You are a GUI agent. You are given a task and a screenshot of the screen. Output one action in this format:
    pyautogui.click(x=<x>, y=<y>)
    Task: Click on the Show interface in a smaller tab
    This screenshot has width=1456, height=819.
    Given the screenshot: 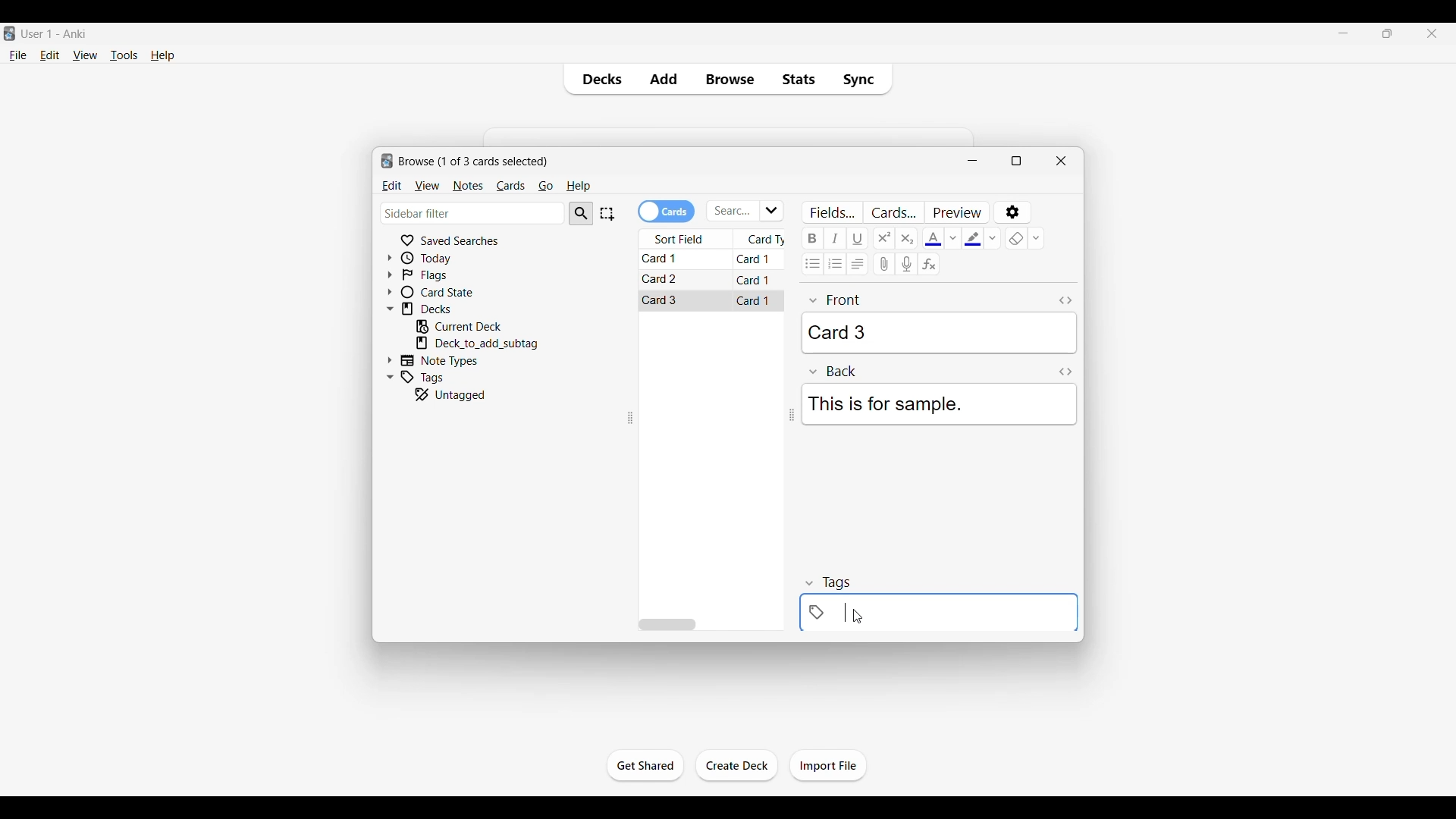 What is the action you would take?
    pyautogui.click(x=1387, y=33)
    